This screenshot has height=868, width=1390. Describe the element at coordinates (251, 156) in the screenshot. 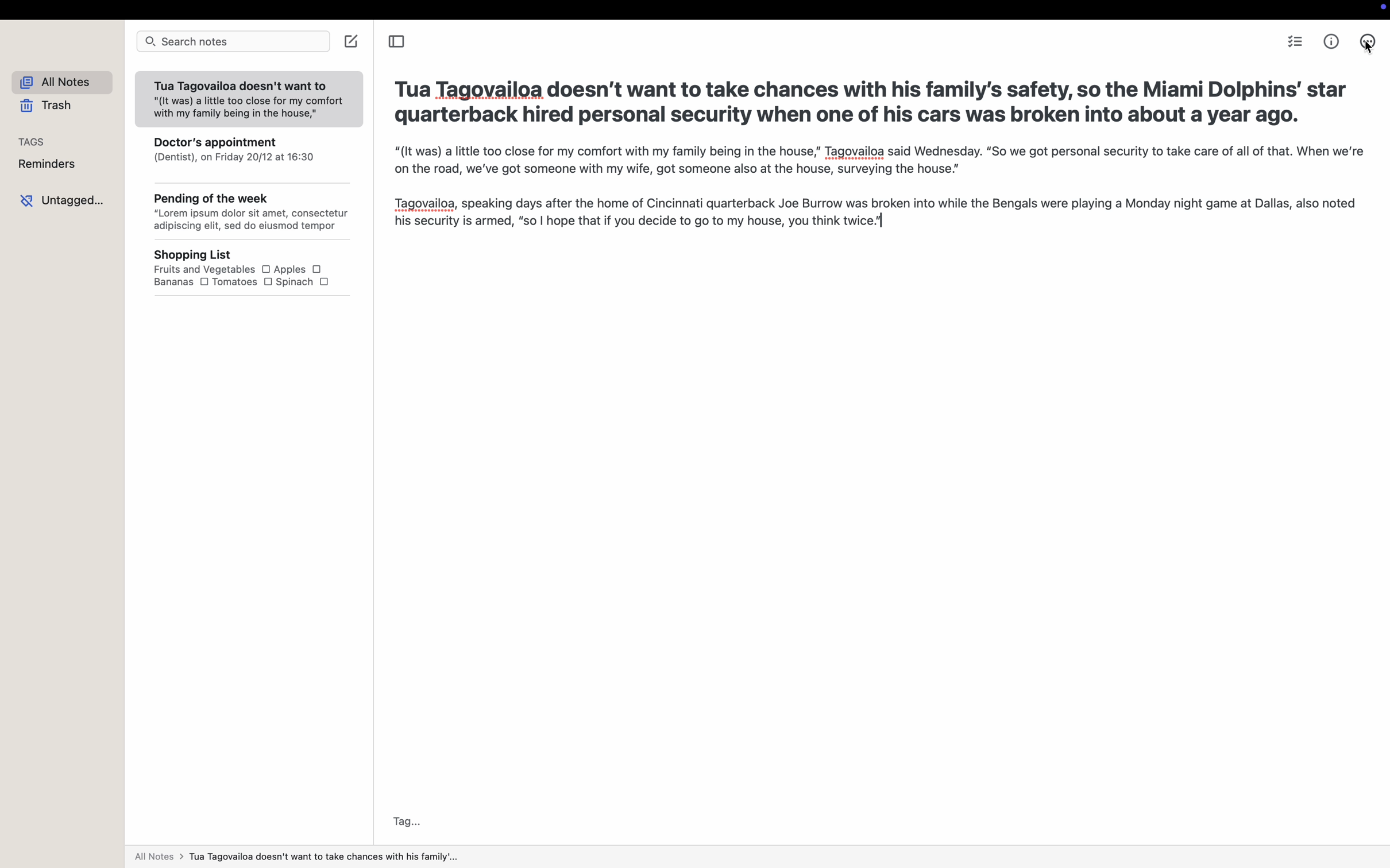

I see `Doctor's appointment
(Dentist), on Friday 20/12 at 16:30` at that location.